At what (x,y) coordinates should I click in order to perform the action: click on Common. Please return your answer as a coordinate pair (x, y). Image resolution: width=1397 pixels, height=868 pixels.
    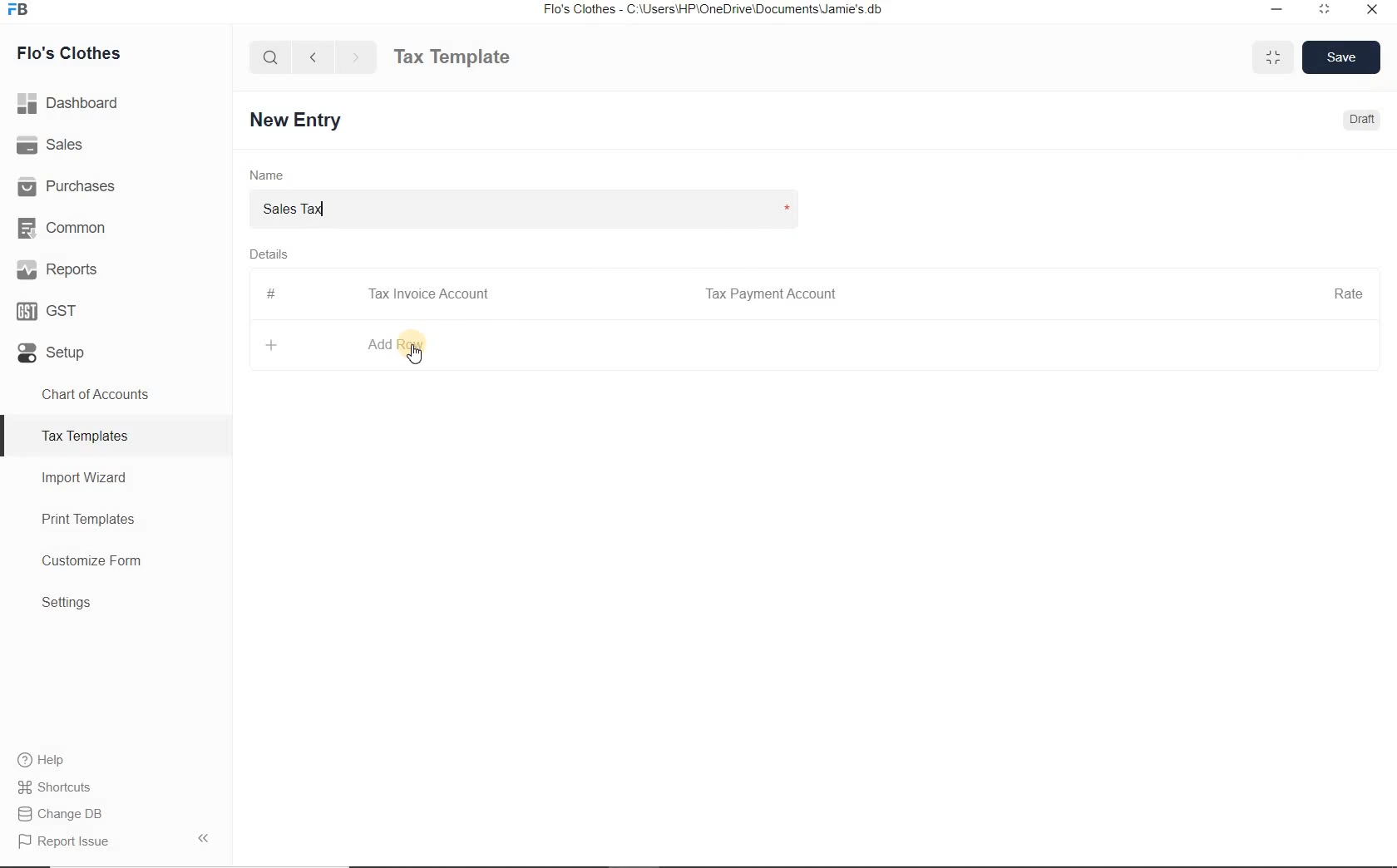
    Looking at the image, I should click on (116, 225).